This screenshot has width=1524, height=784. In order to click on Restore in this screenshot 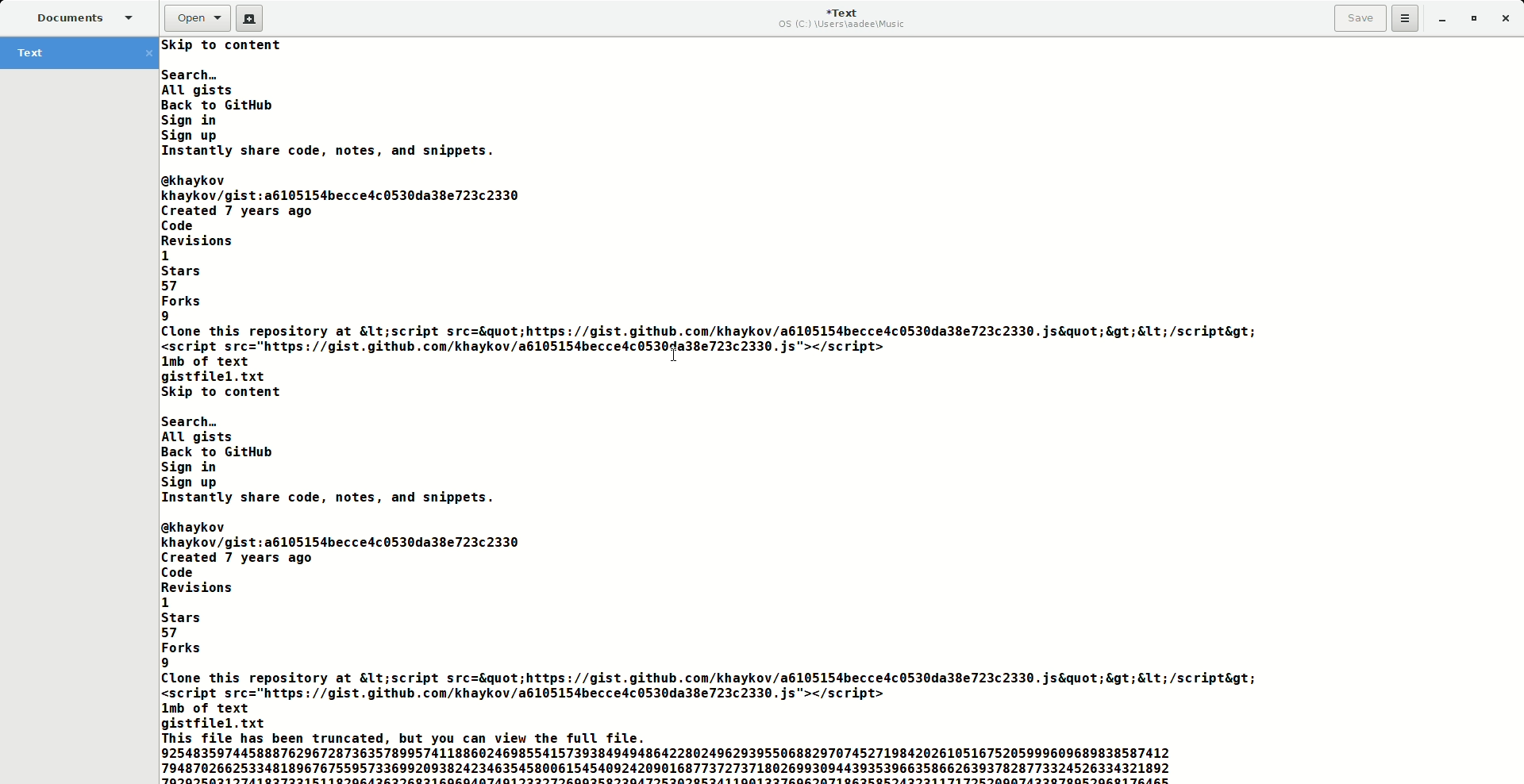, I will do `click(1476, 17)`.